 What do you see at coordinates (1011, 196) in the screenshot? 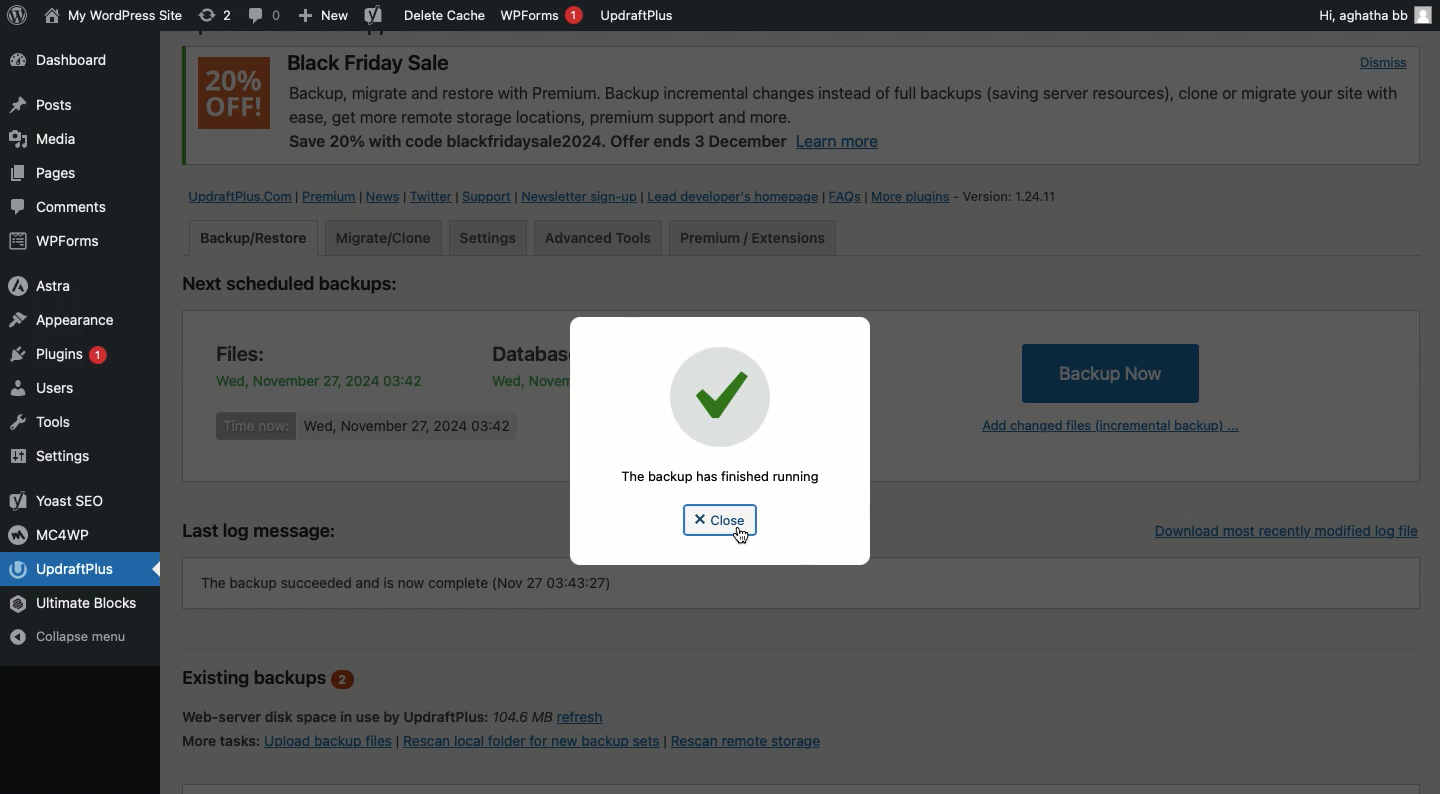
I see `Version 1.24.11` at bounding box center [1011, 196].